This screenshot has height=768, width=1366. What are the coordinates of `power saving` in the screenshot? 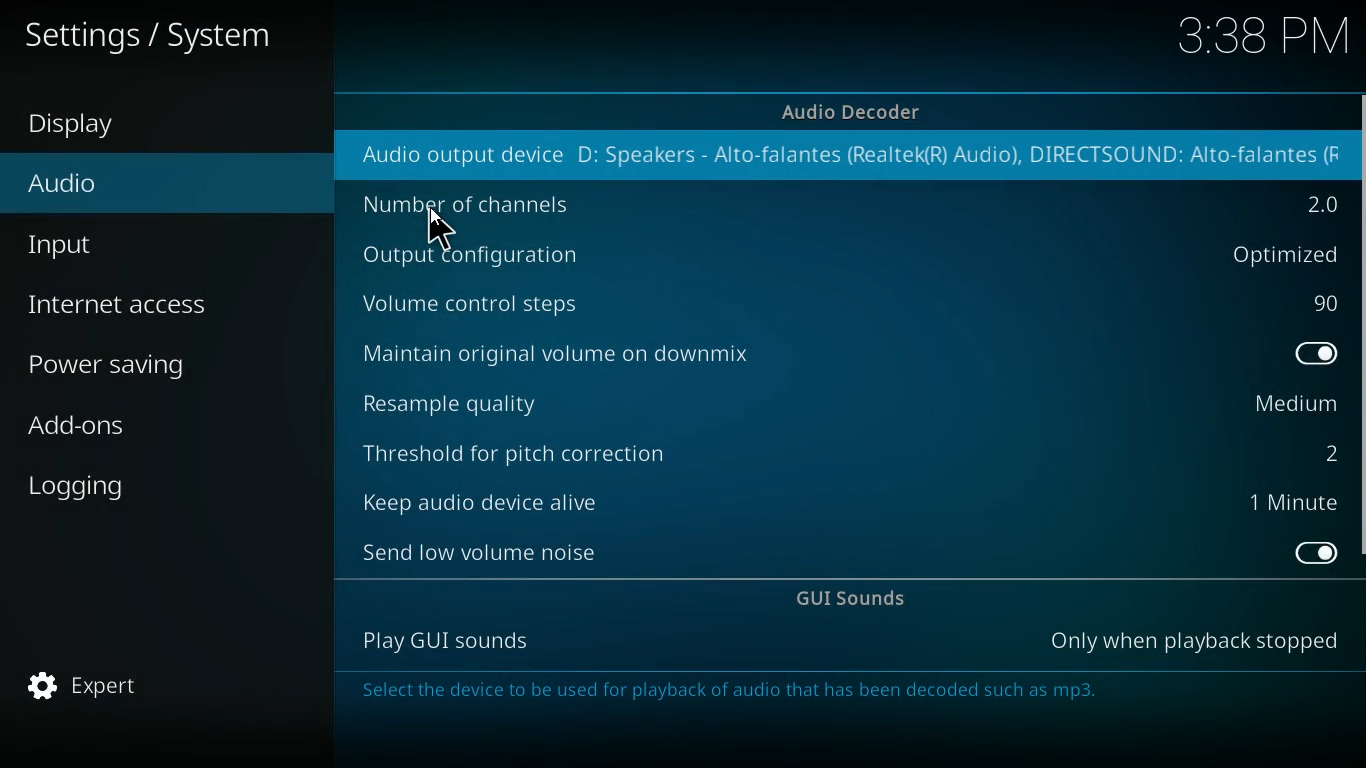 It's located at (150, 364).